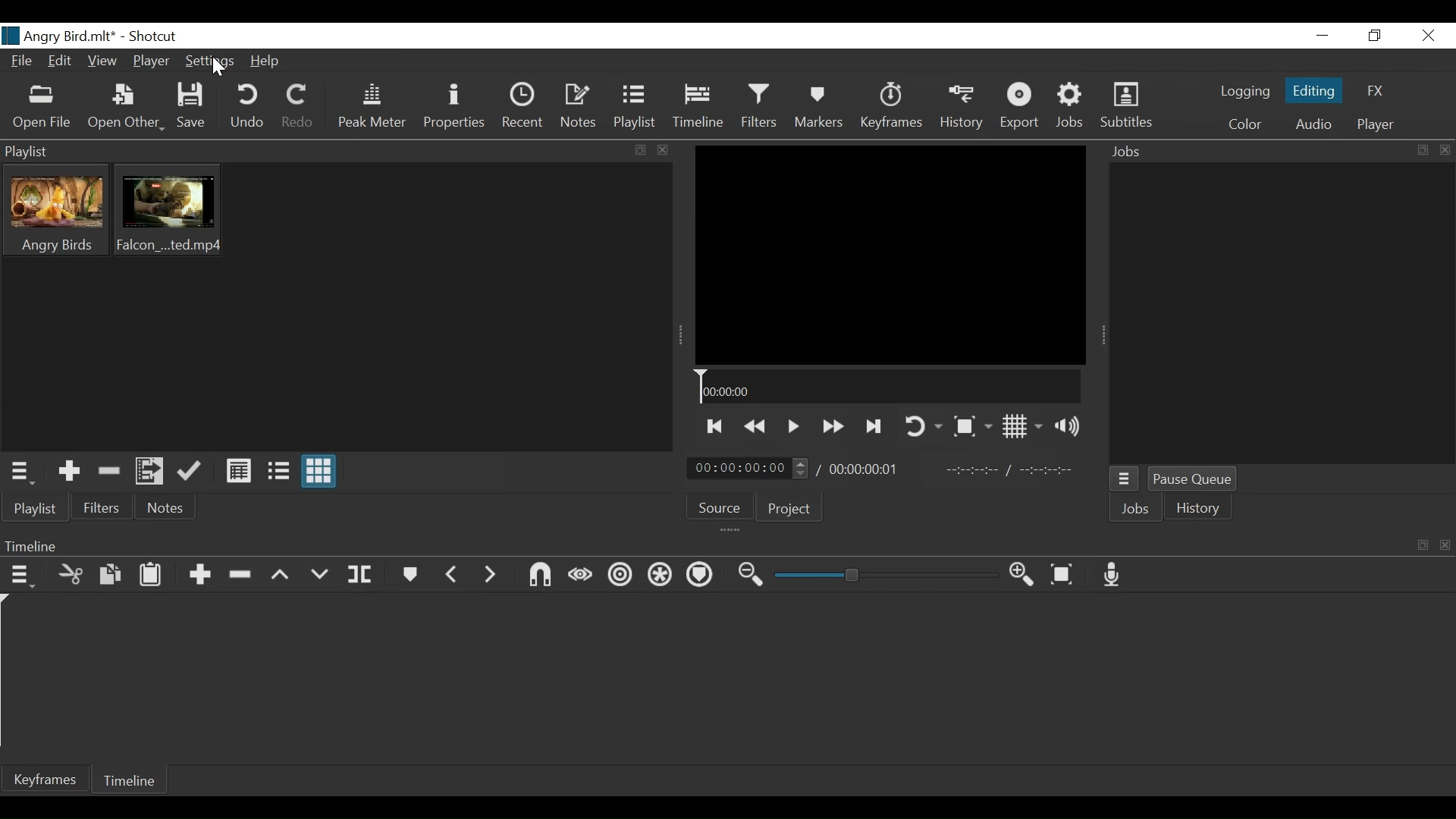  I want to click on Update, so click(190, 472).